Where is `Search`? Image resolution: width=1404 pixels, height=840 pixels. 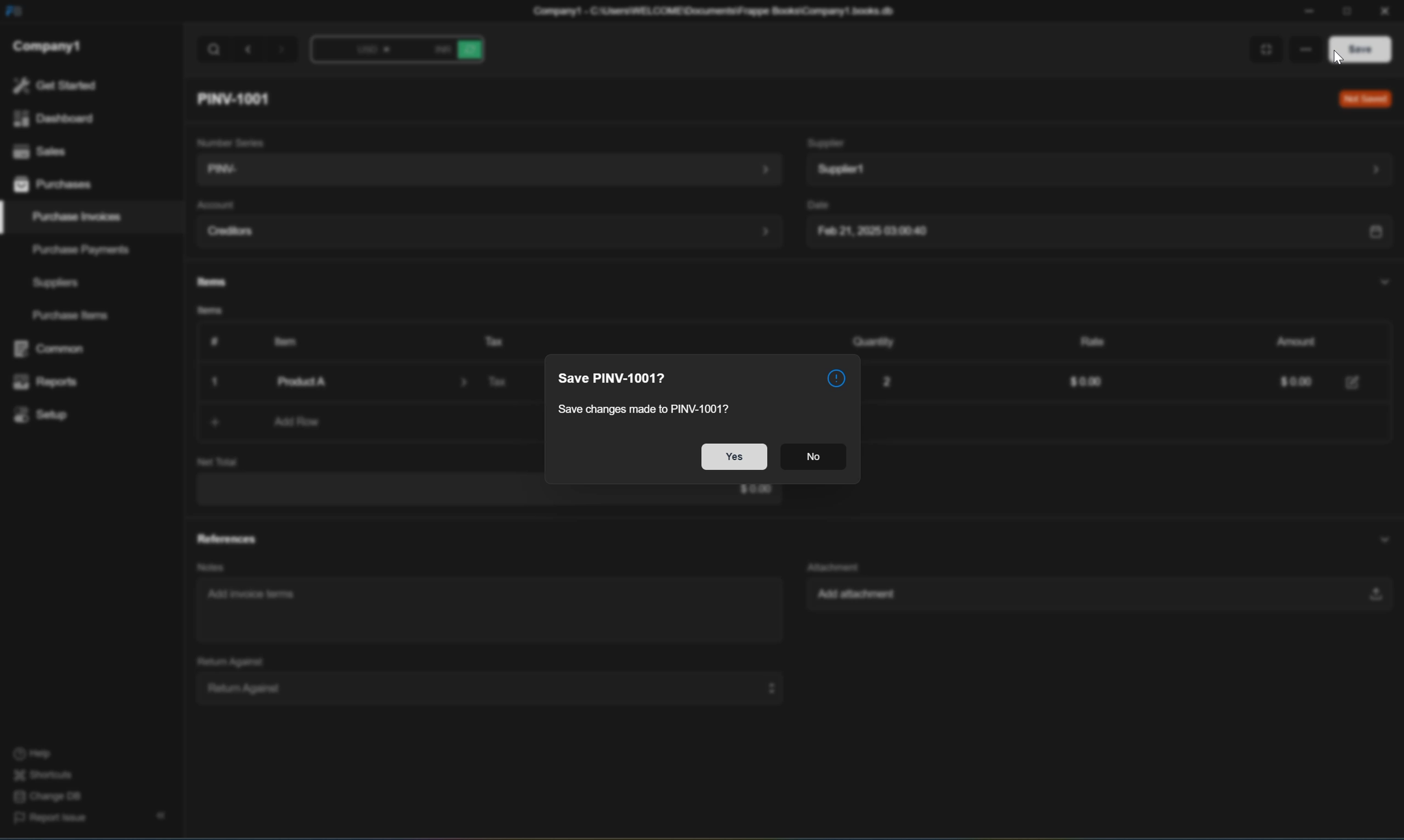 Search is located at coordinates (214, 50).